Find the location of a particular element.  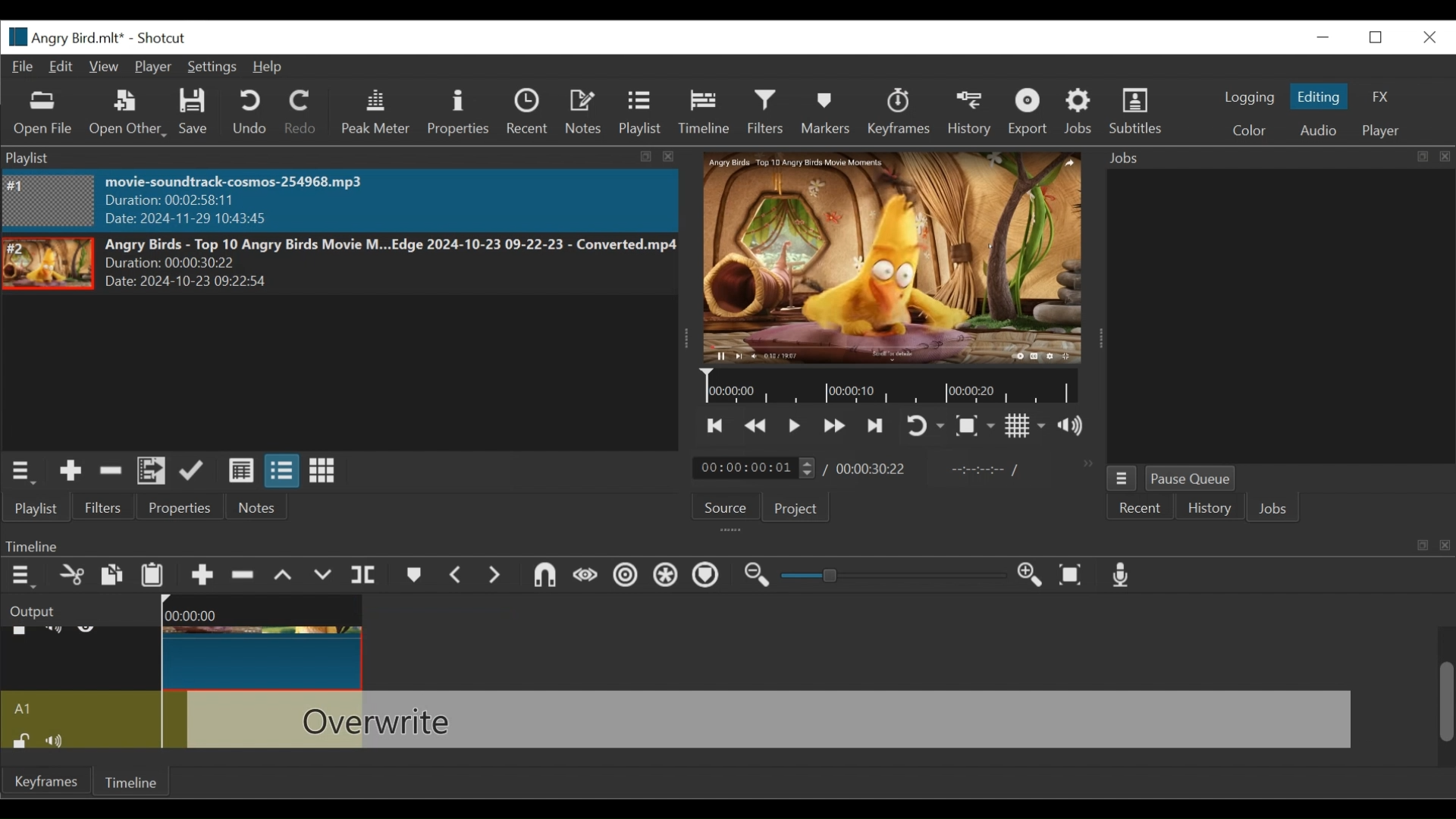

Edit is located at coordinates (61, 66).